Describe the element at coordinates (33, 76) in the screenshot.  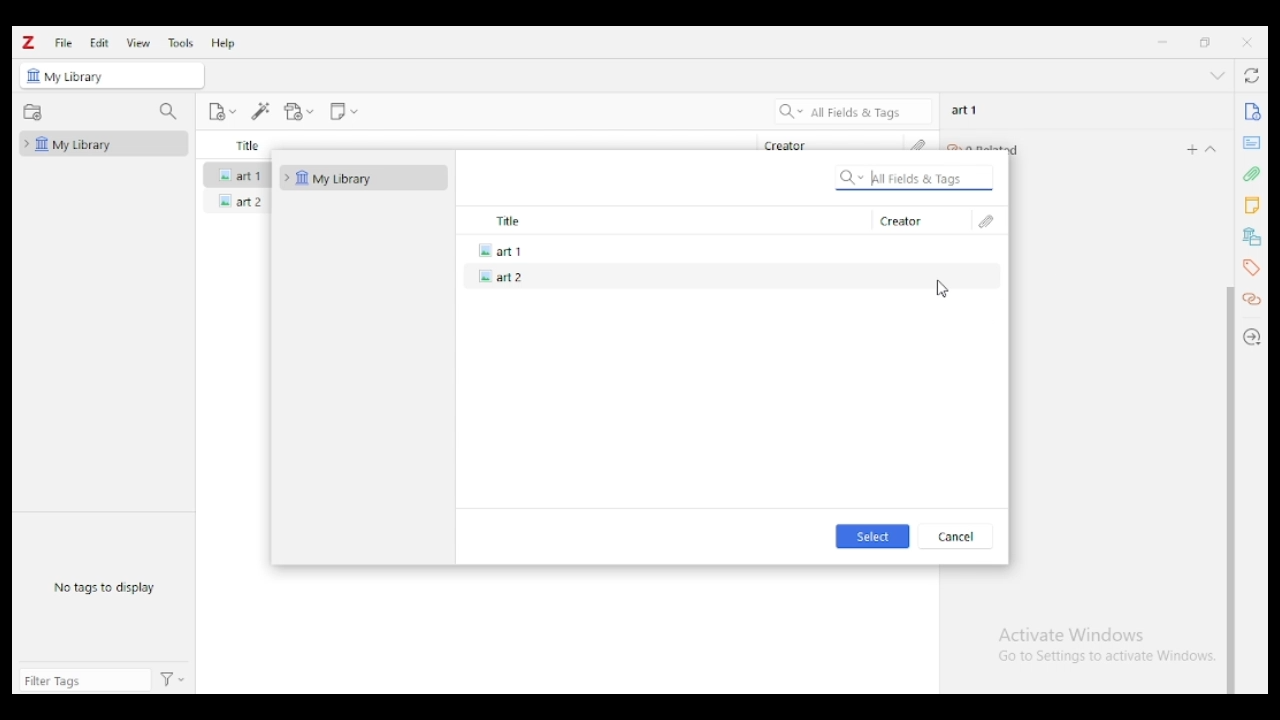
I see `icon` at that location.